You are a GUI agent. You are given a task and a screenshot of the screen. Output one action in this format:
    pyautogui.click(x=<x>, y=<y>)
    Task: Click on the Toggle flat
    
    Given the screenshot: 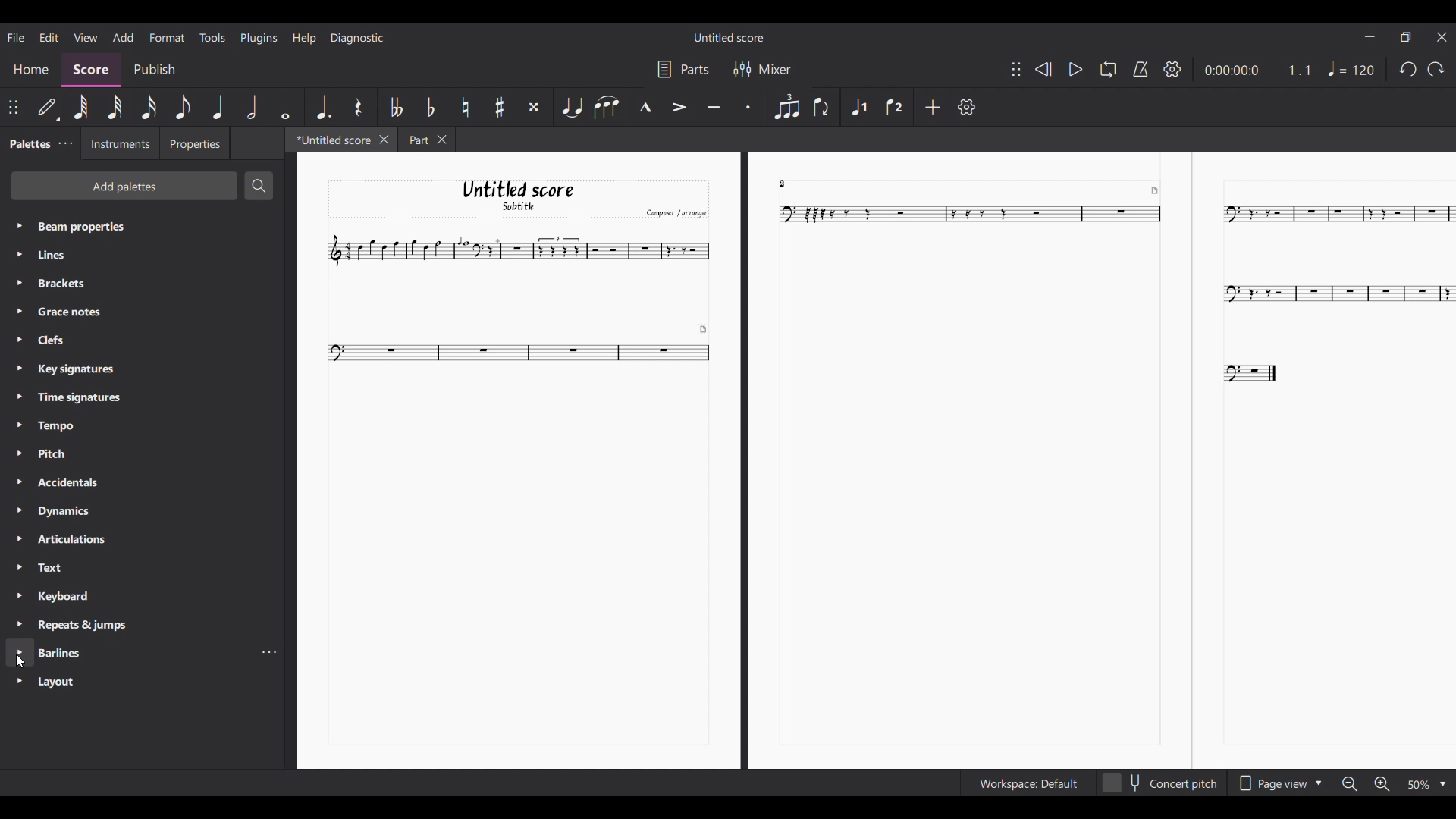 What is the action you would take?
    pyautogui.click(x=431, y=107)
    